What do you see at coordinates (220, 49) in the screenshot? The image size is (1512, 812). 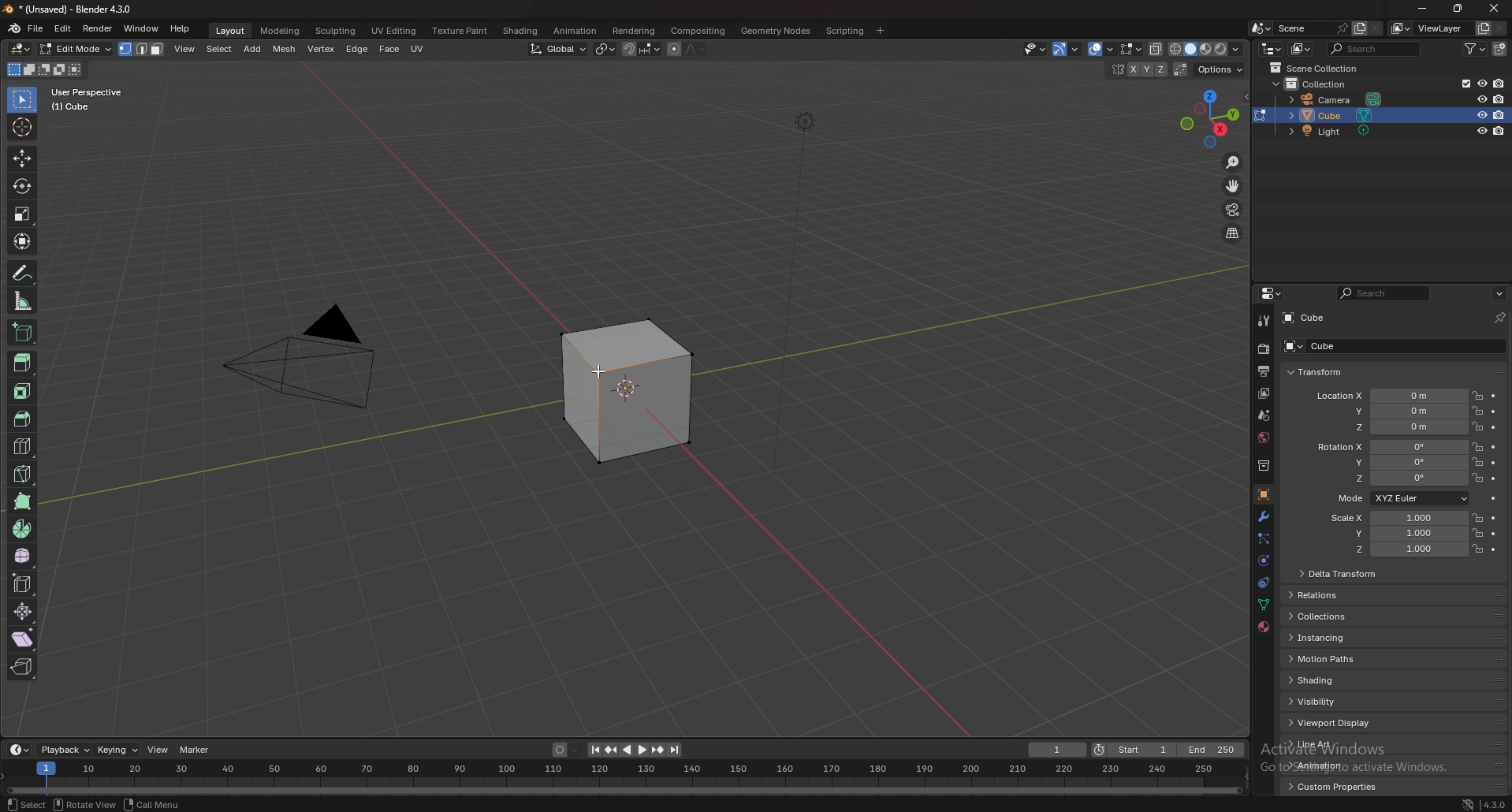 I see `select` at bounding box center [220, 49].